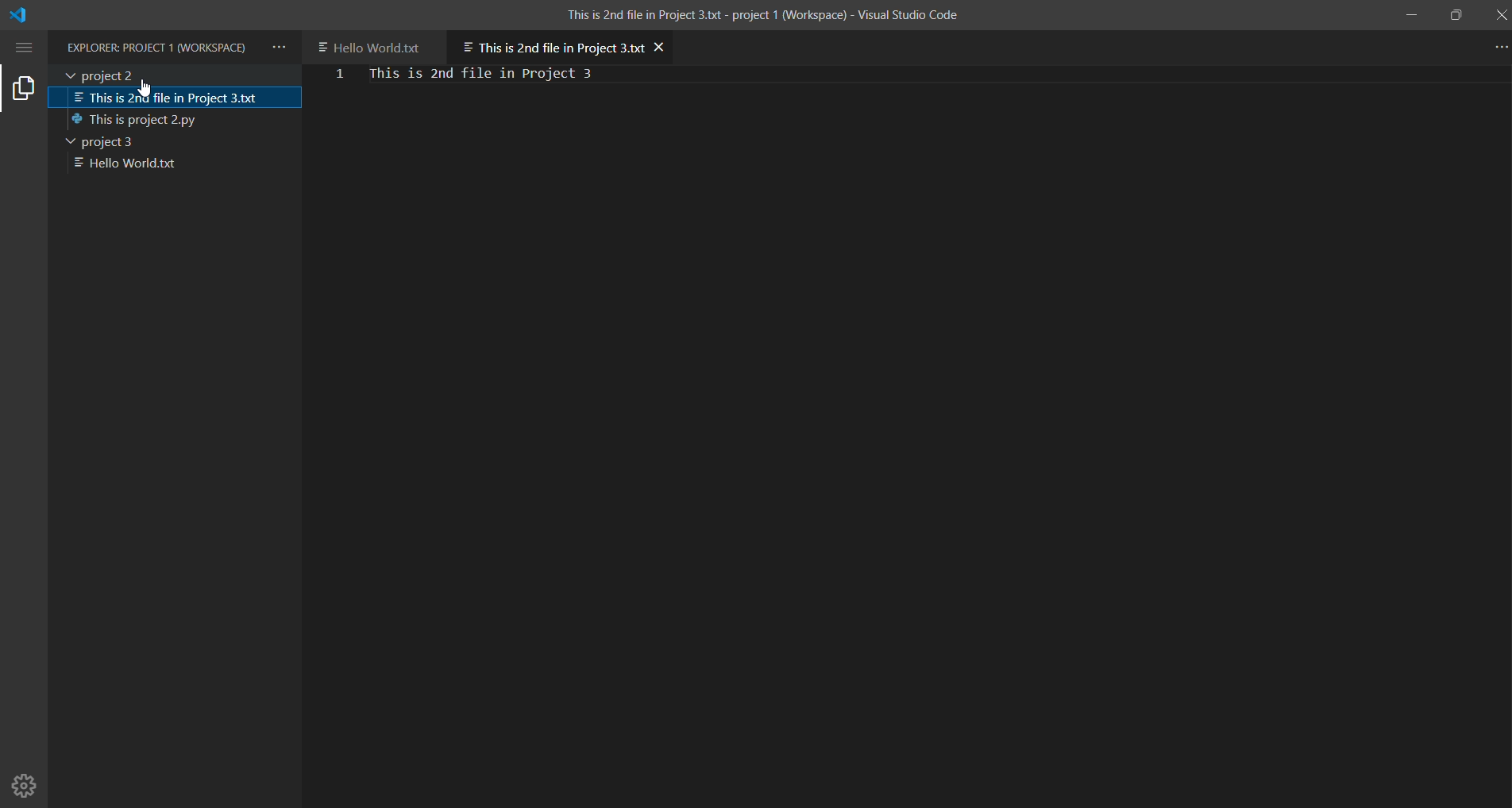 Image resolution: width=1512 pixels, height=808 pixels. Describe the element at coordinates (340, 76) in the screenshot. I see `first line` at that location.